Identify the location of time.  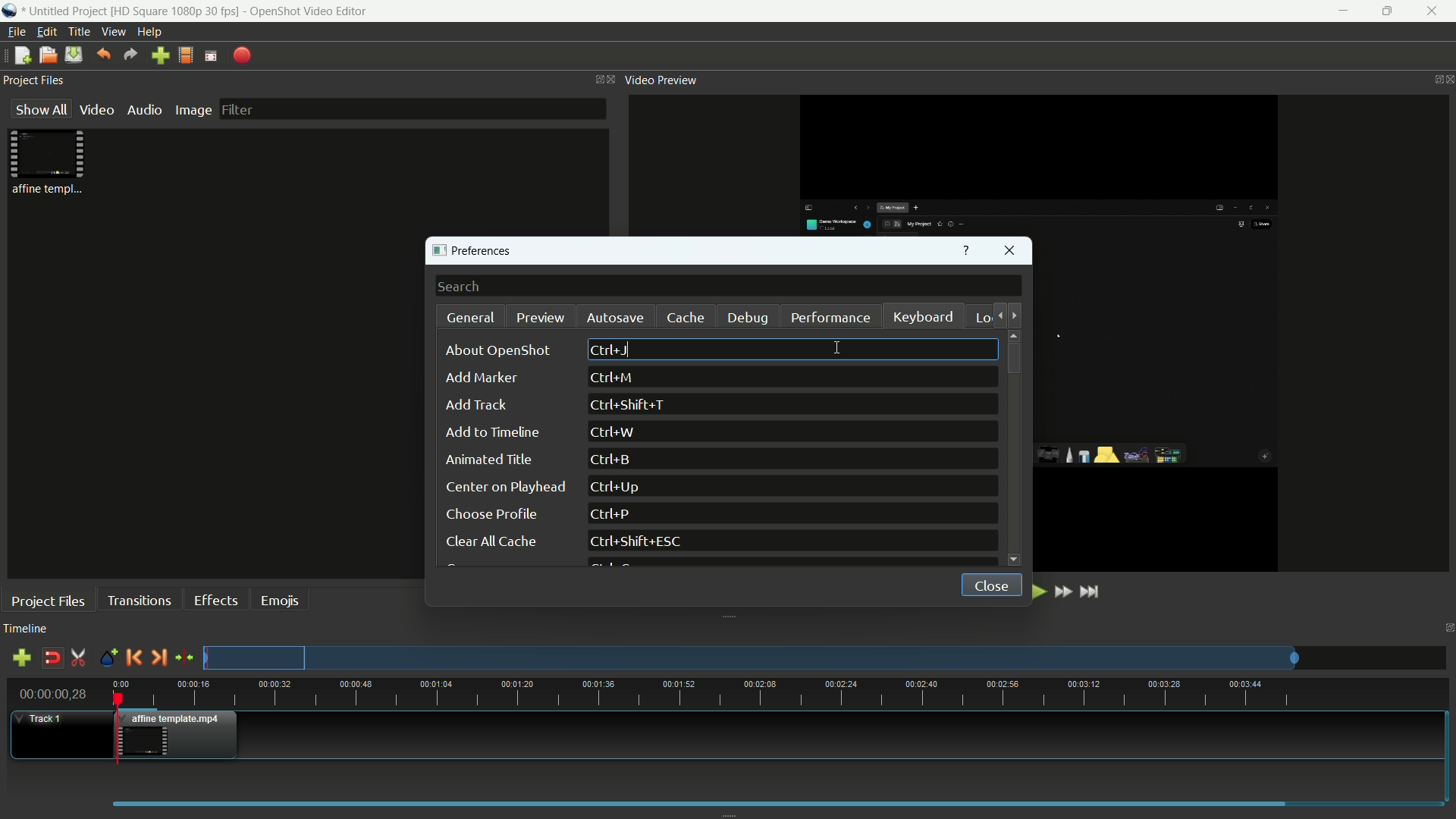
(780, 694).